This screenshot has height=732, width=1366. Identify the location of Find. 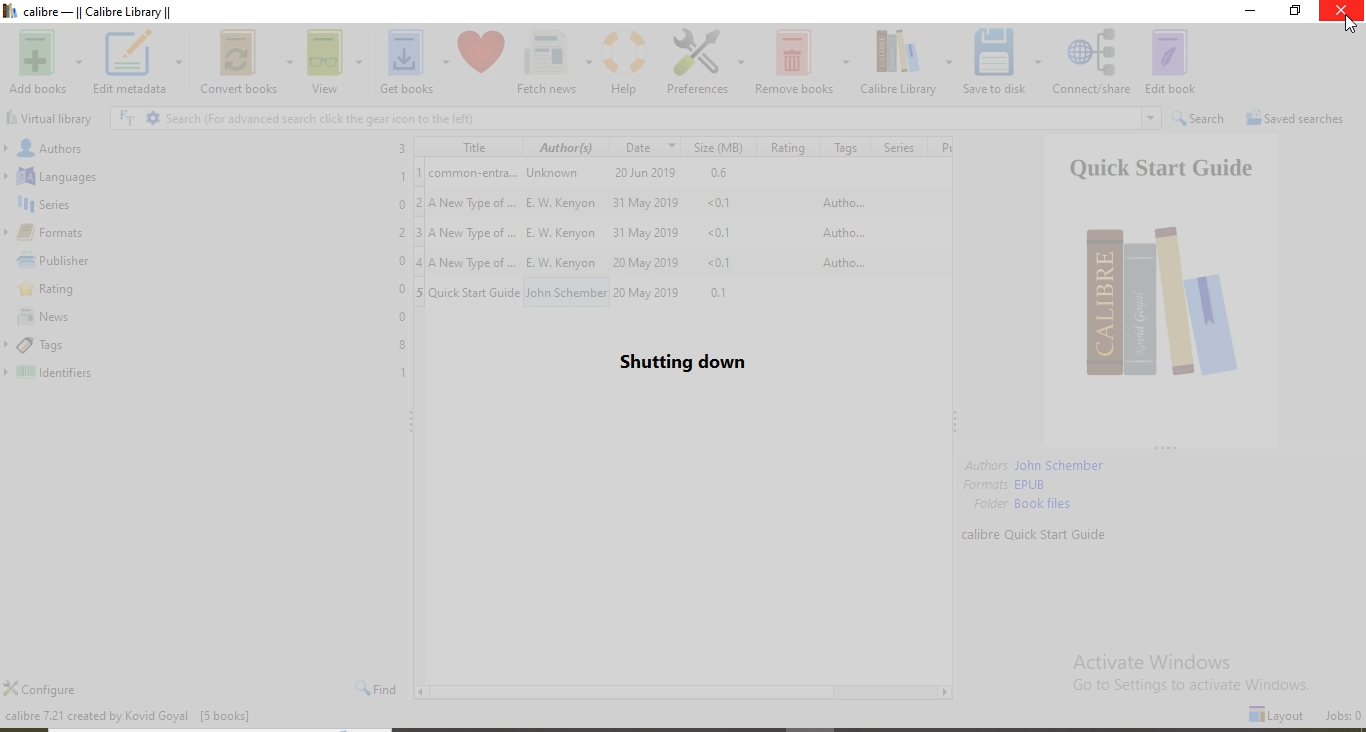
(377, 687).